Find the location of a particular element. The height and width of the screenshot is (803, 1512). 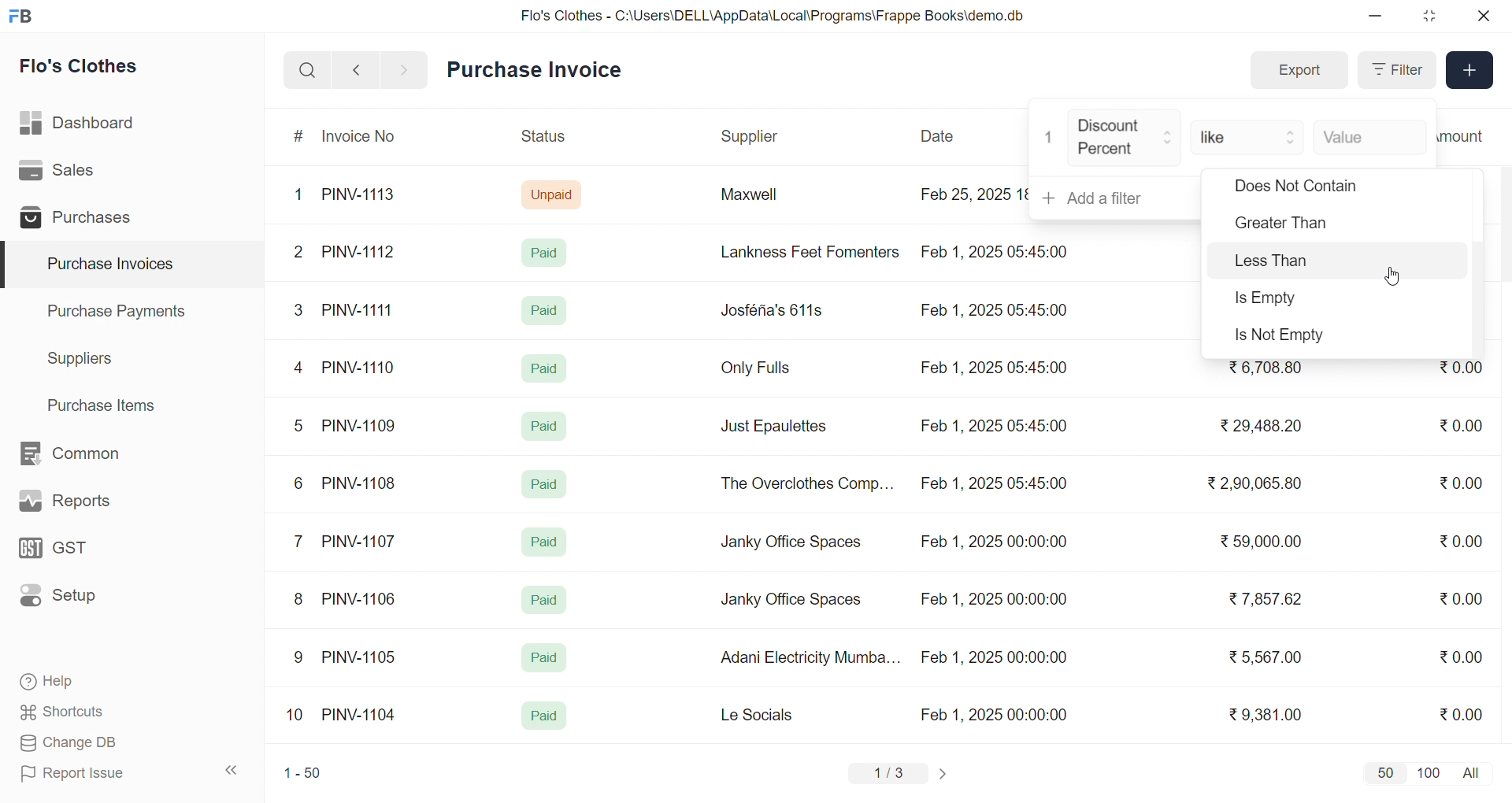

Paid is located at coordinates (545, 310).